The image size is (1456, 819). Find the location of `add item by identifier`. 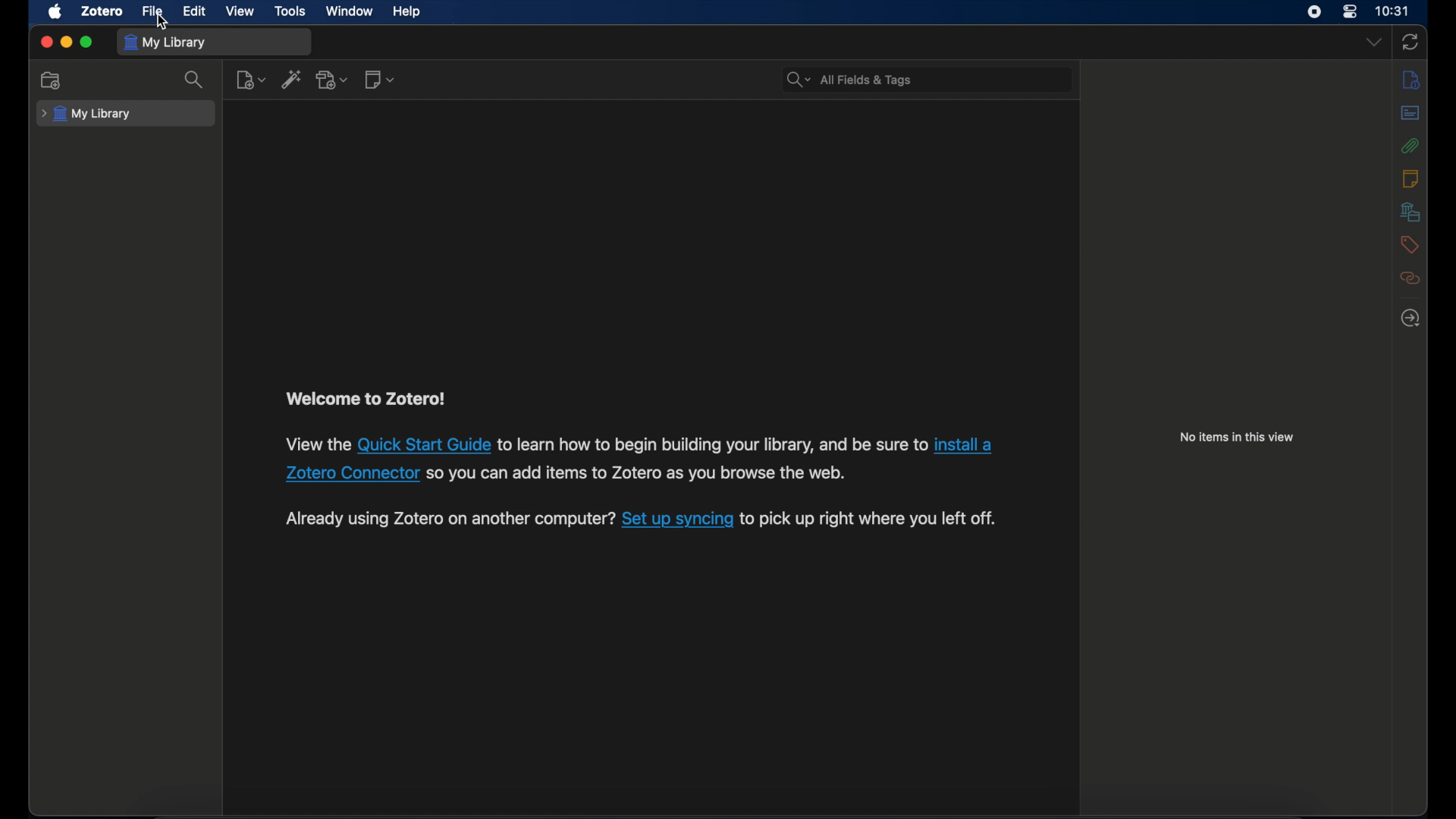

add item by identifier is located at coordinates (291, 78).